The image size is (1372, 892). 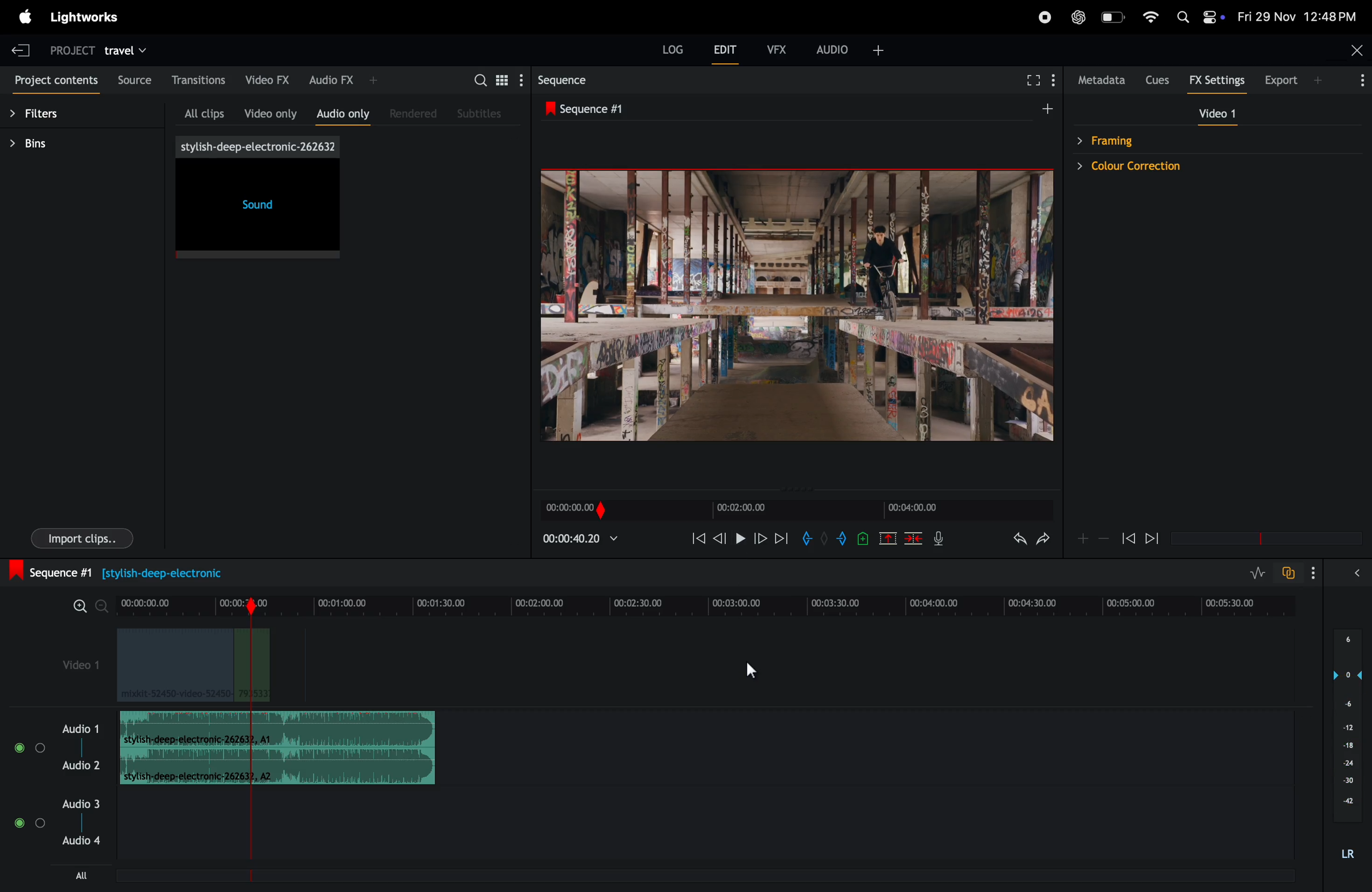 What do you see at coordinates (85, 536) in the screenshot?
I see `import clips` at bounding box center [85, 536].